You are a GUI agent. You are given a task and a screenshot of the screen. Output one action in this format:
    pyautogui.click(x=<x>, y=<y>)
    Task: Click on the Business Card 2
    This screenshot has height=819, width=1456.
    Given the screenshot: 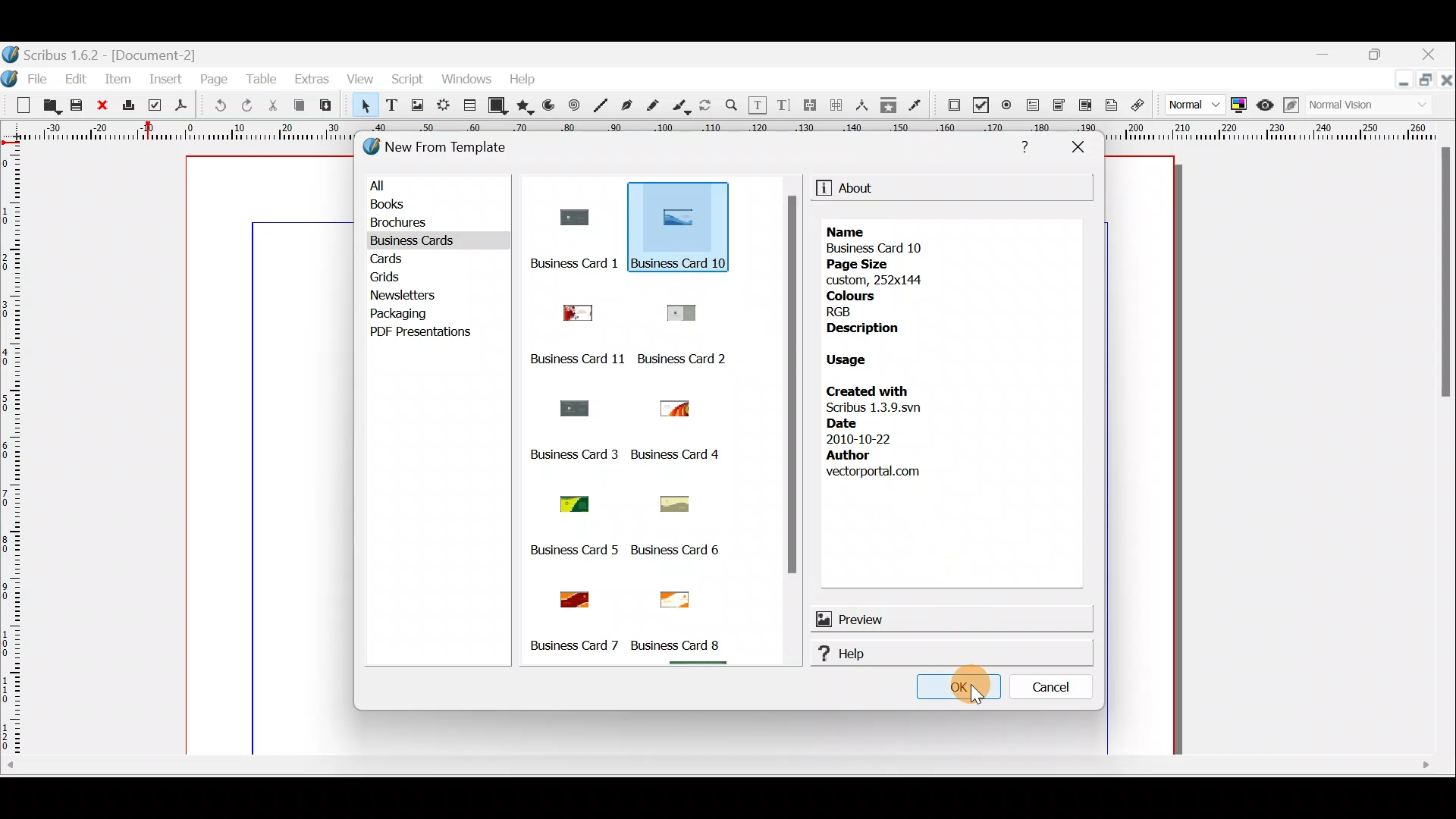 What is the action you would take?
    pyautogui.click(x=687, y=358)
    